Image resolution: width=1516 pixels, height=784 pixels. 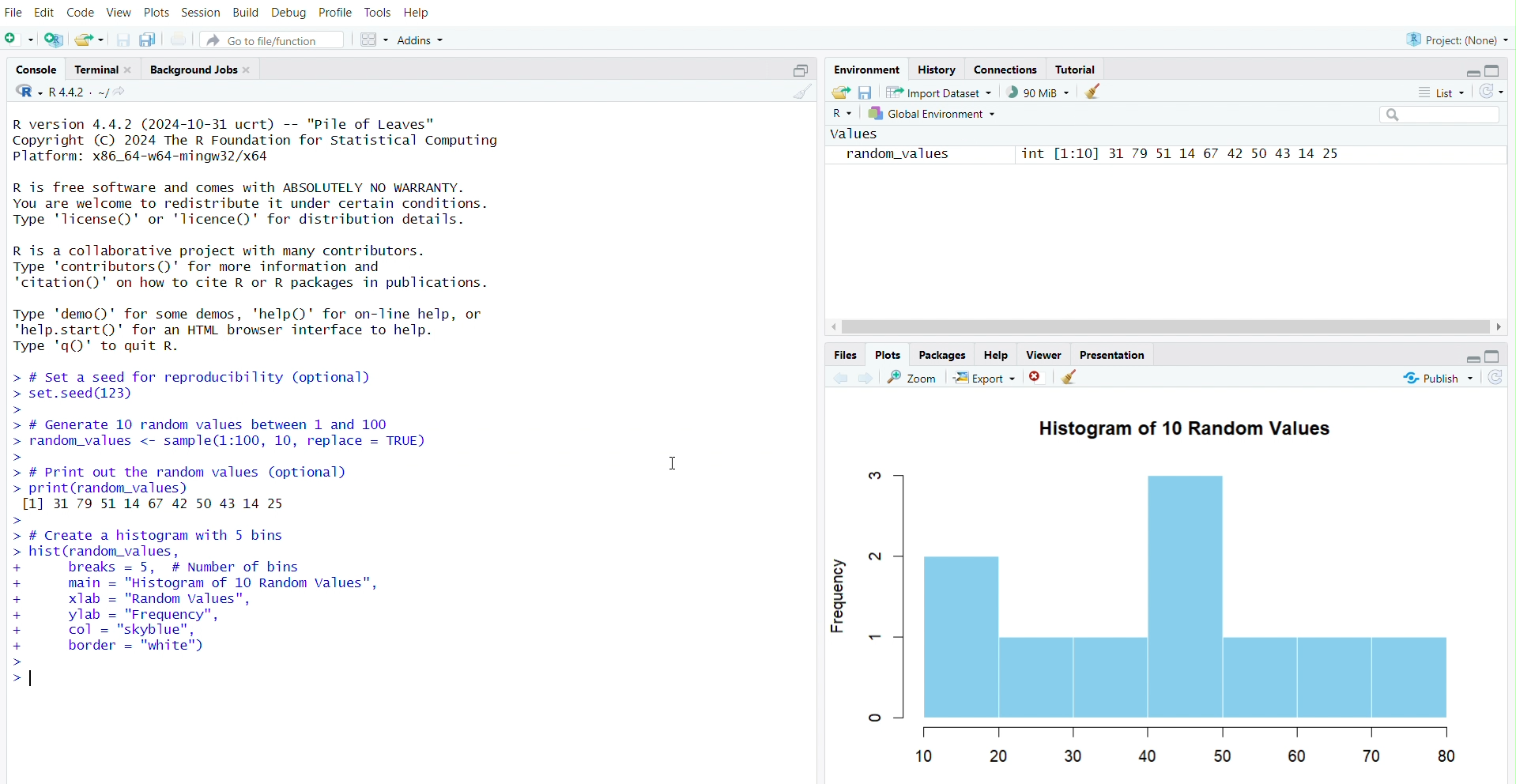 I want to click on debug, so click(x=290, y=10).